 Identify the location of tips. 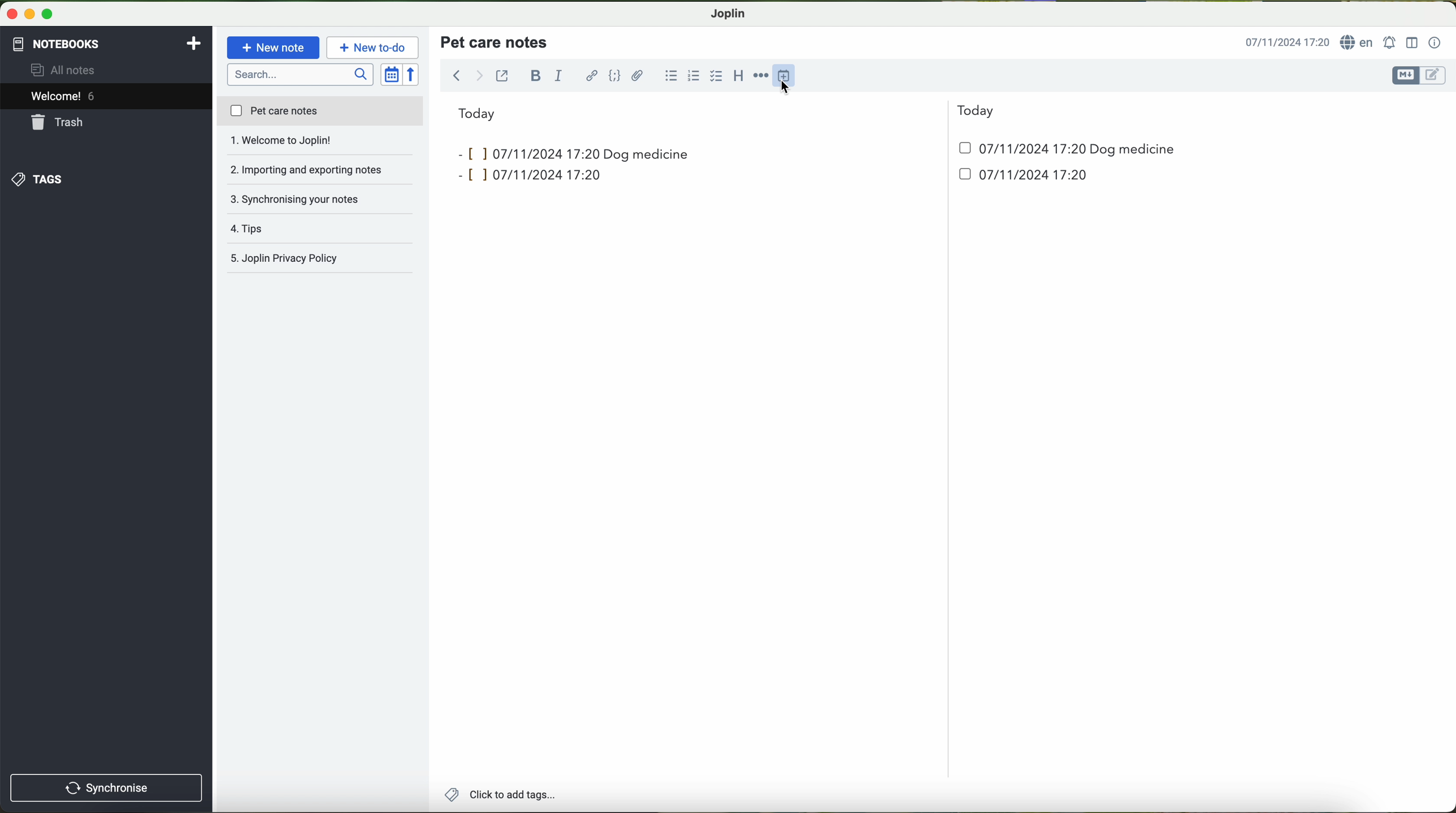
(320, 199).